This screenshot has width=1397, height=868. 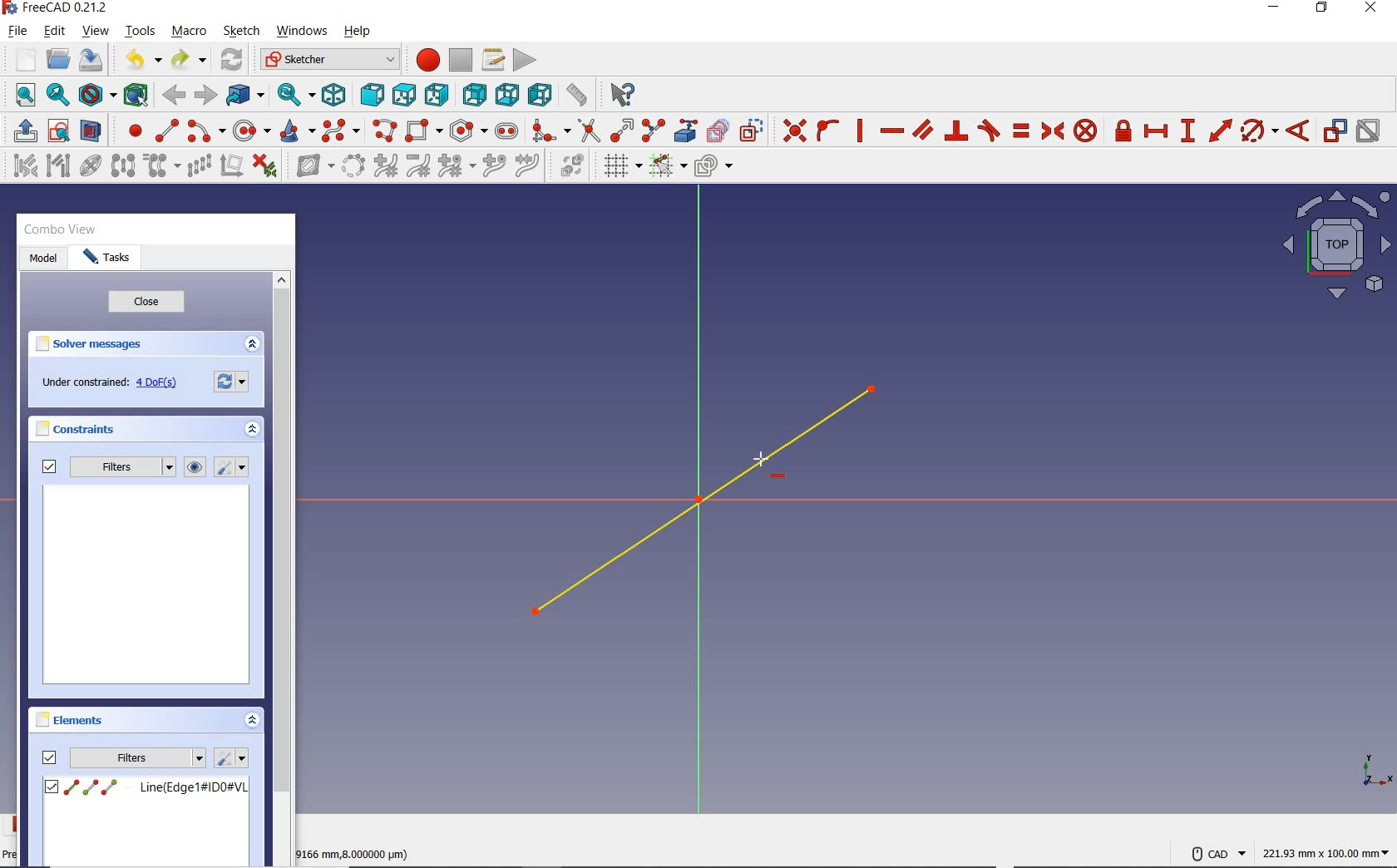 What do you see at coordinates (859, 129) in the screenshot?
I see `CONSTRAIN VERTICALLY` at bounding box center [859, 129].